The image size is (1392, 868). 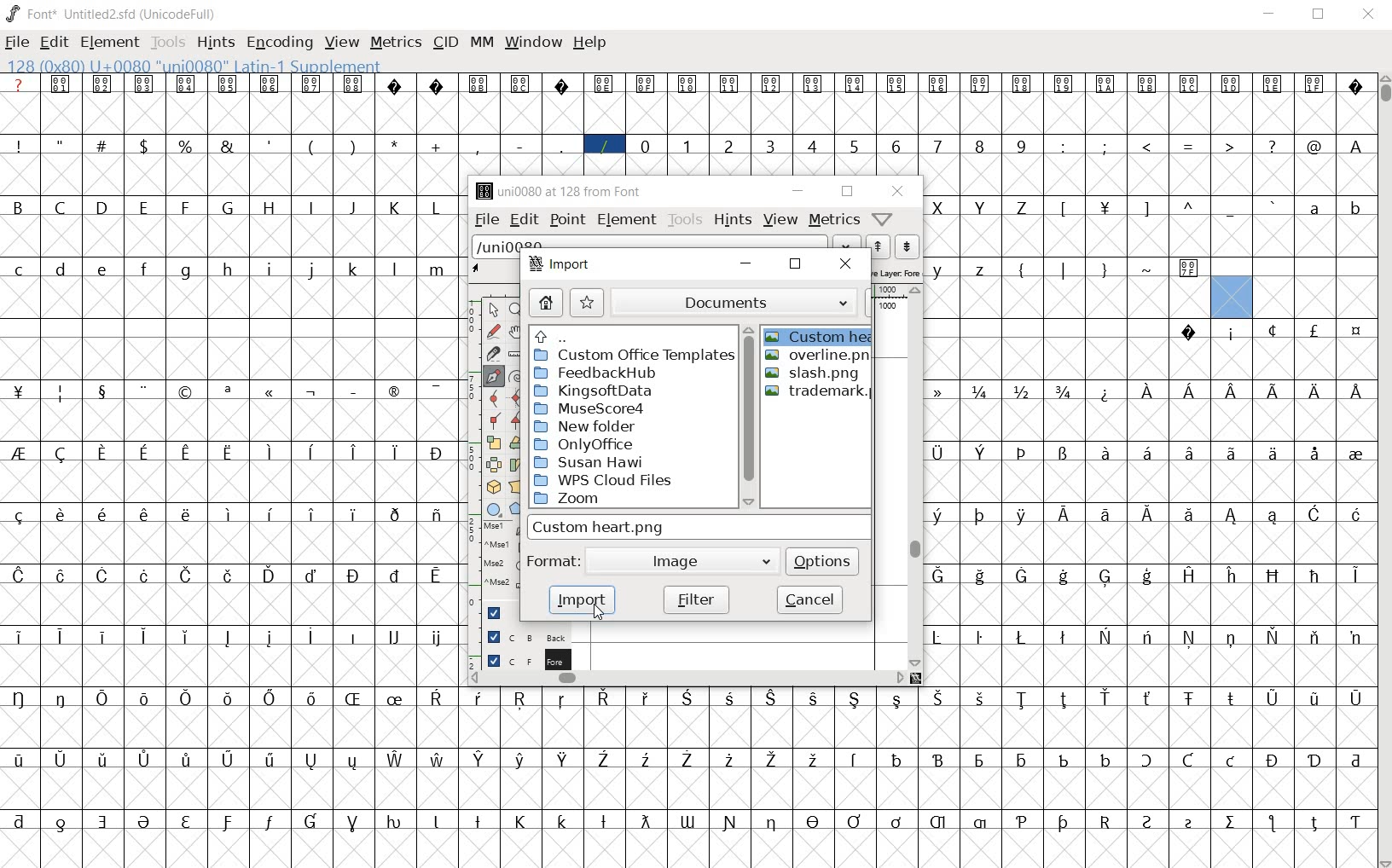 I want to click on glyph, so click(x=1022, y=700).